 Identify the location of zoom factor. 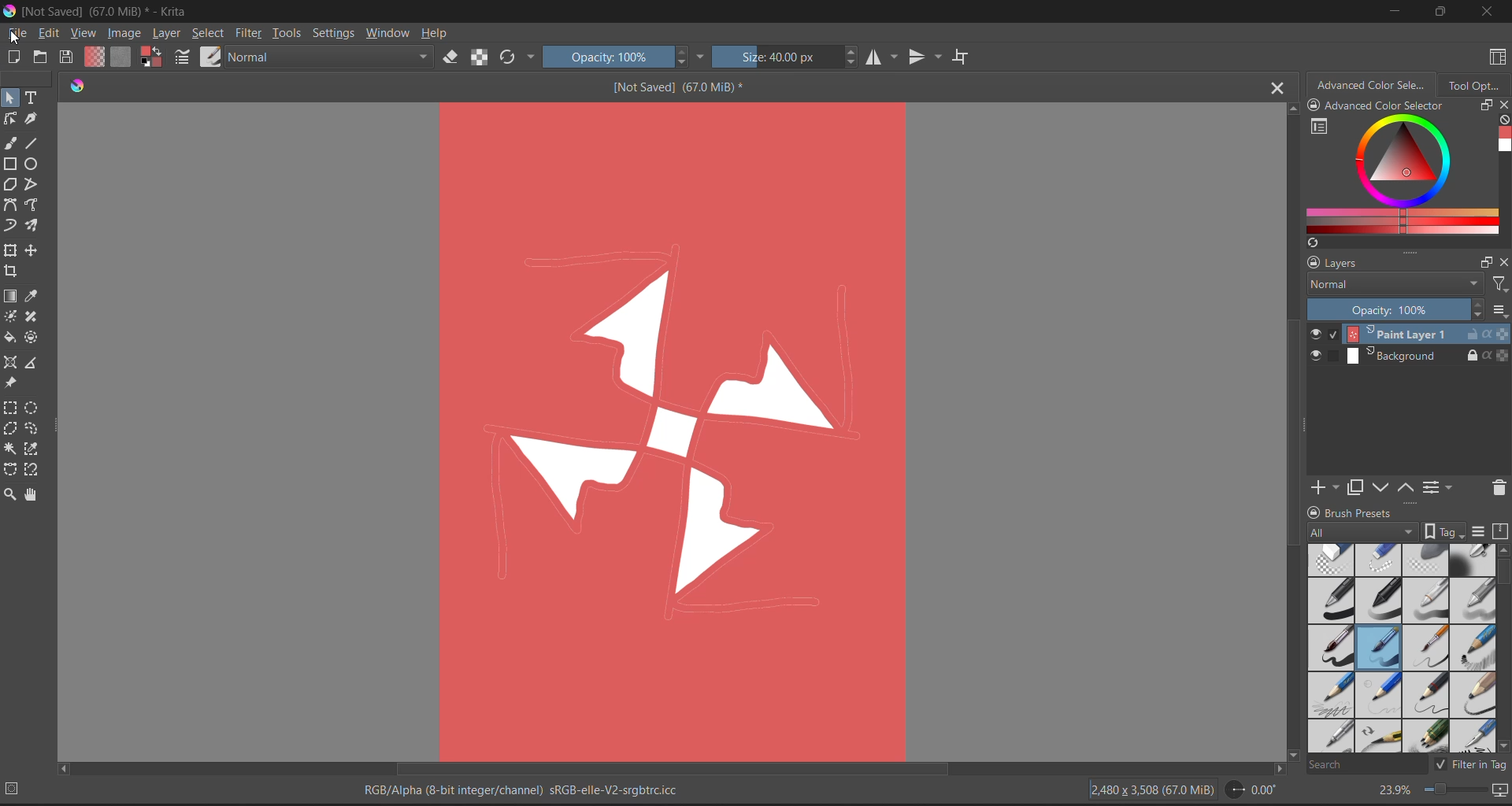
(1396, 790).